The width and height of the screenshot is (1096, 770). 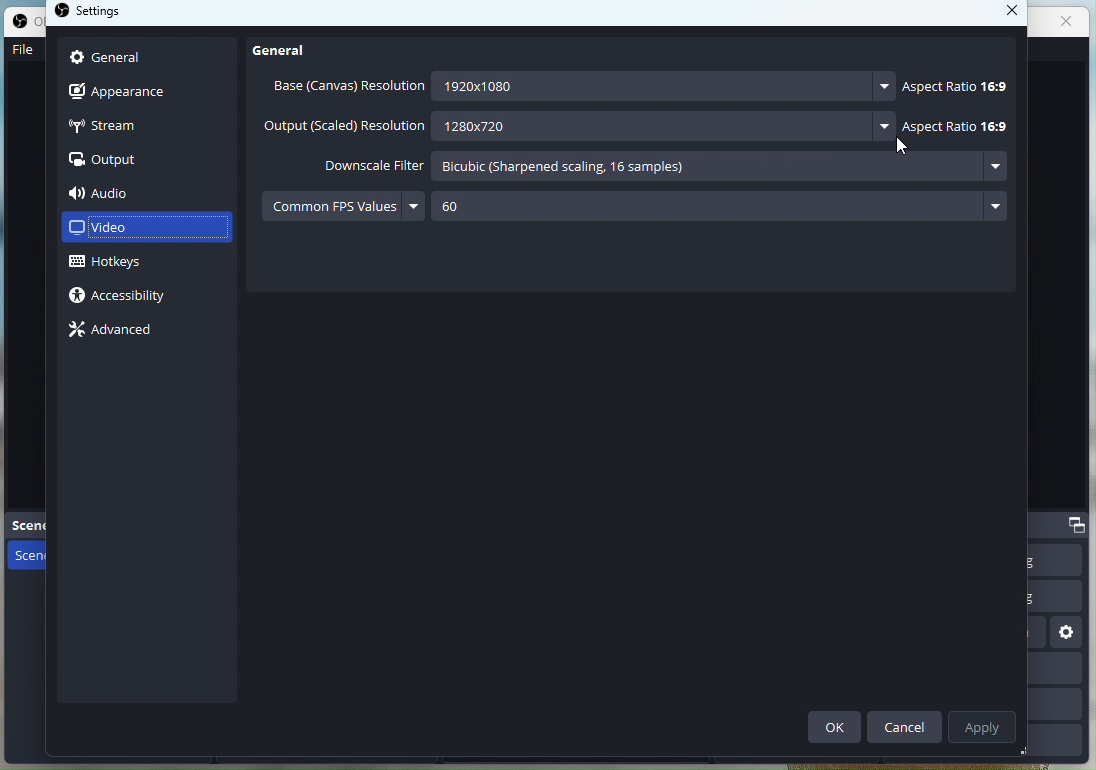 I want to click on more options, so click(x=412, y=205).